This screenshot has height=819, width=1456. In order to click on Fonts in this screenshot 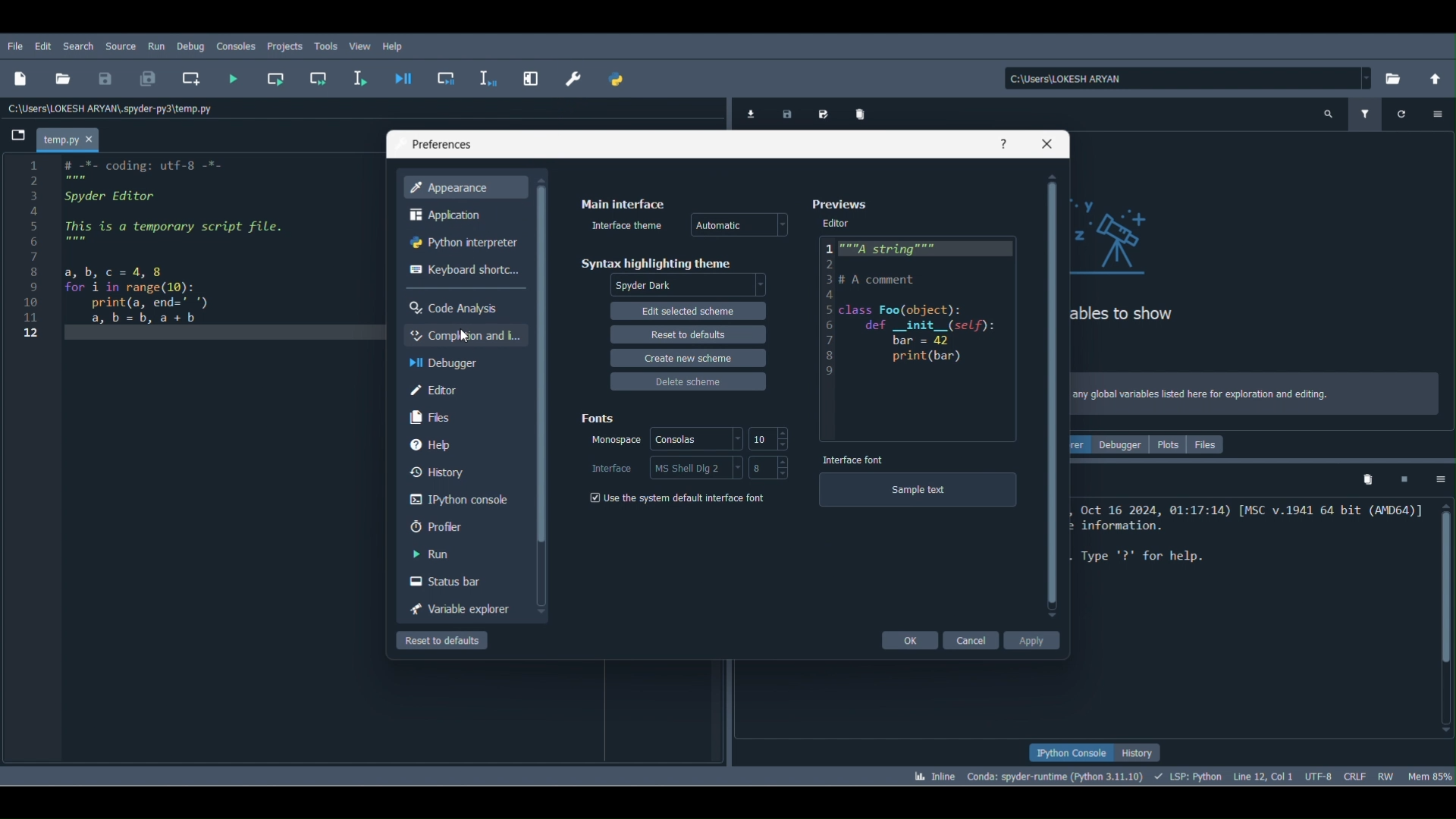, I will do `click(597, 419)`.